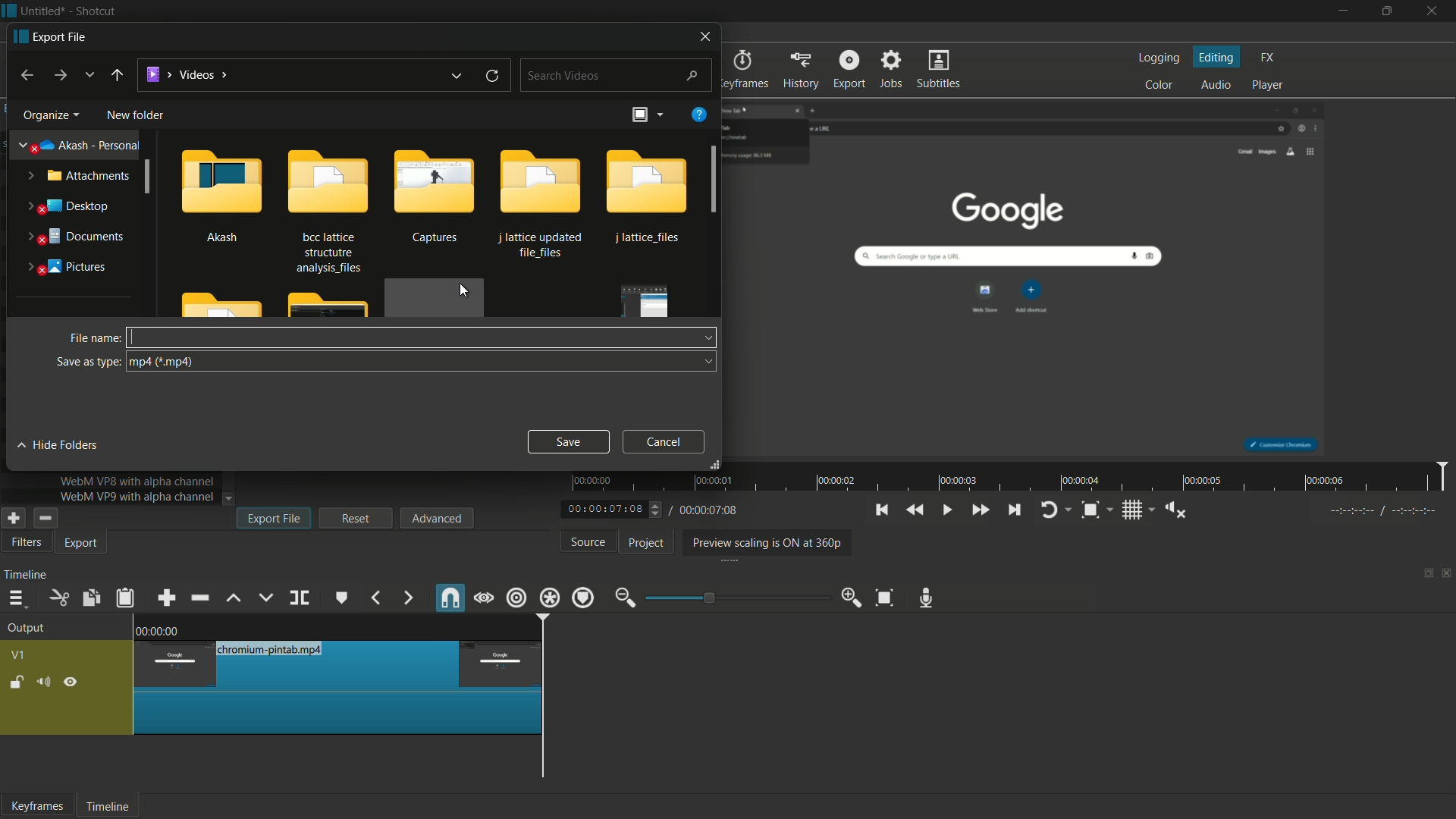  I want to click on zoom timeline to fit, so click(888, 597).